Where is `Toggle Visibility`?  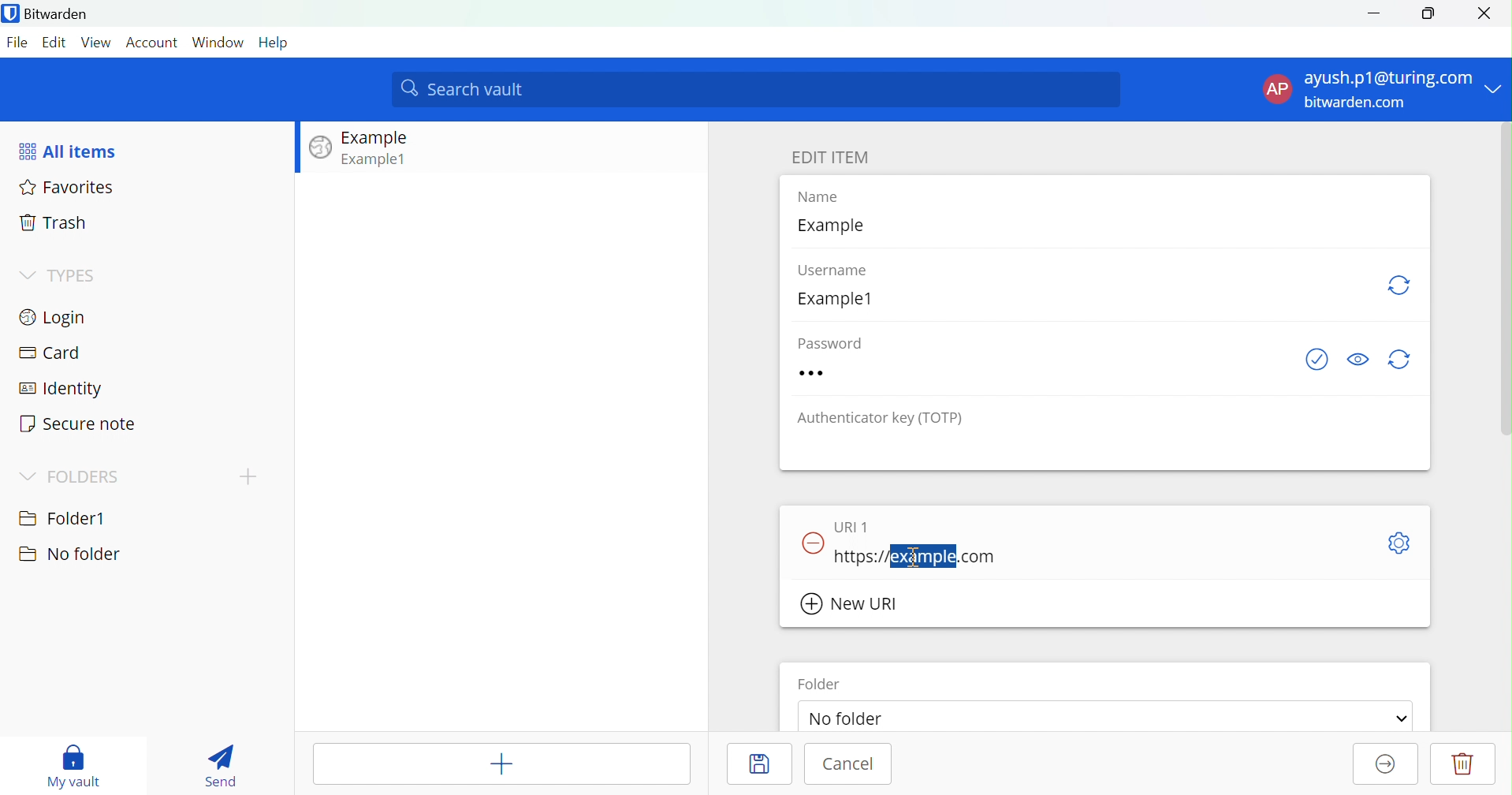 Toggle Visibility is located at coordinates (1359, 358).